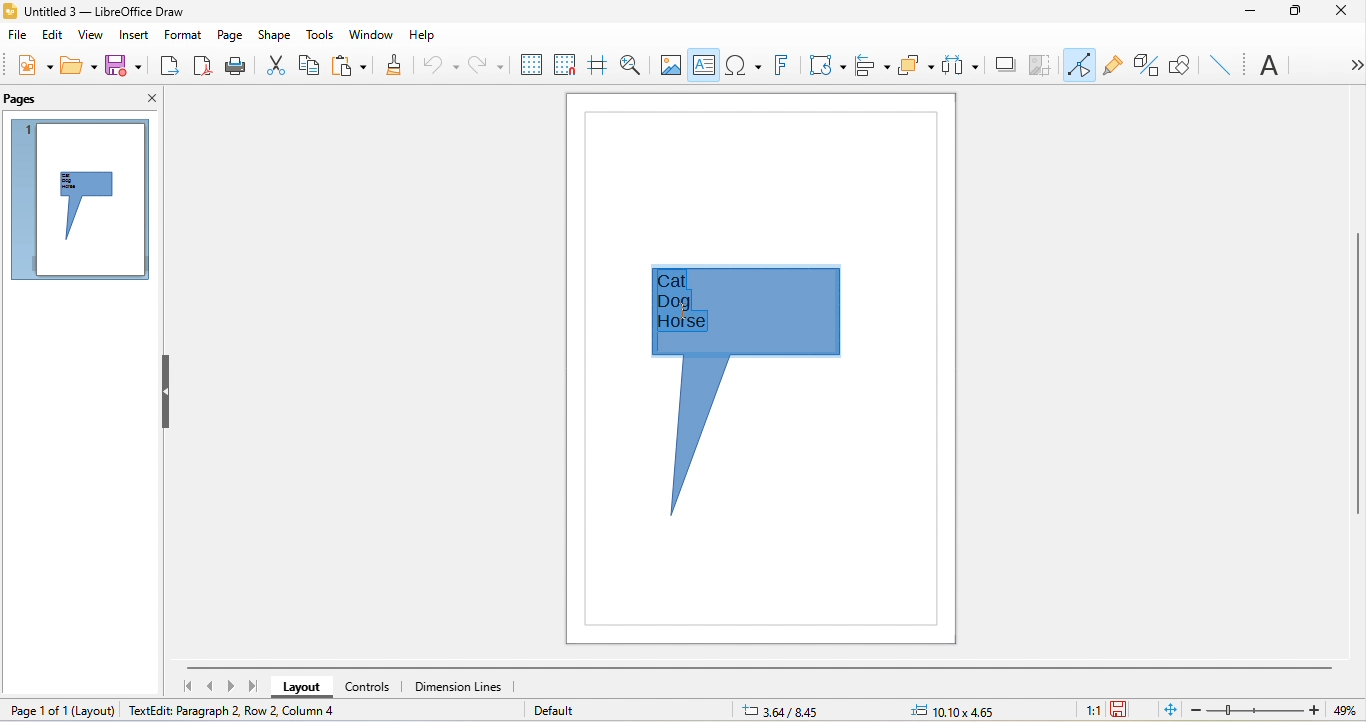 This screenshot has width=1366, height=722. Describe the element at coordinates (170, 66) in the screenshot. I see `export` at that location.